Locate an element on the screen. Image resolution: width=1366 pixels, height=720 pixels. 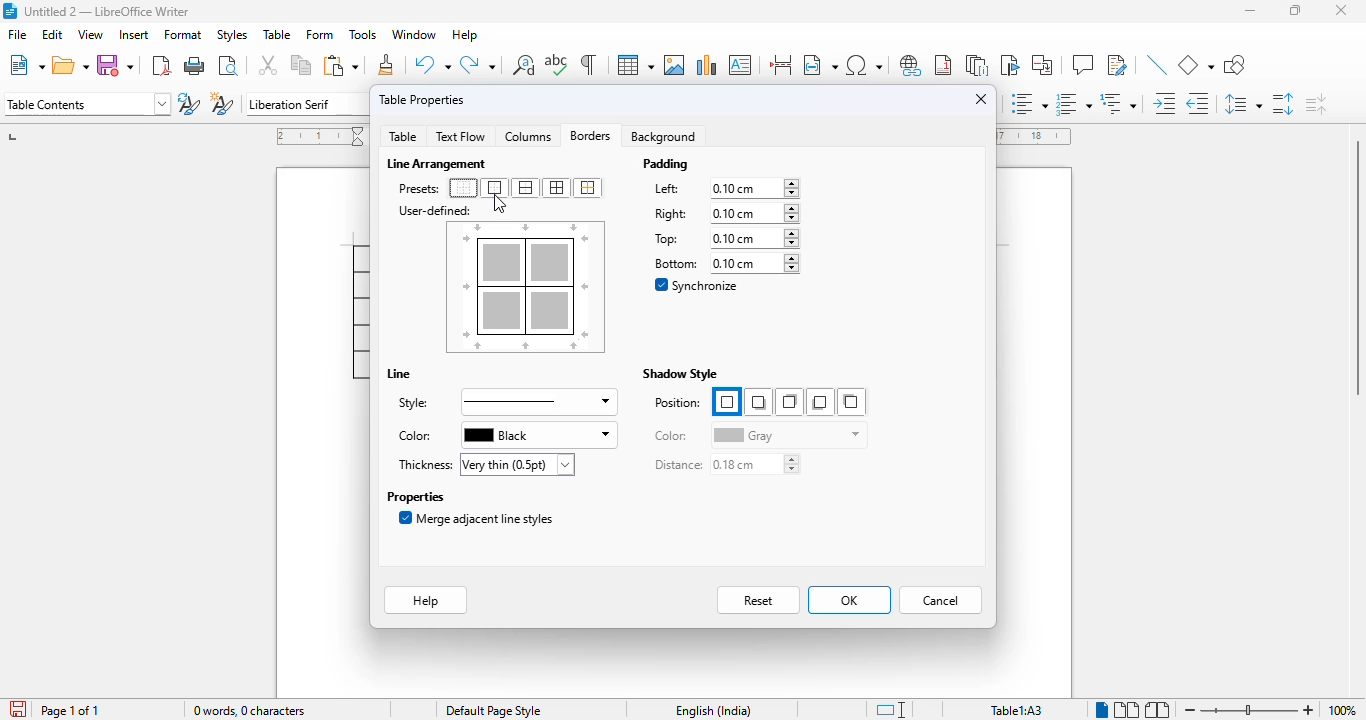
cursor is located at coordinates (499, 204).